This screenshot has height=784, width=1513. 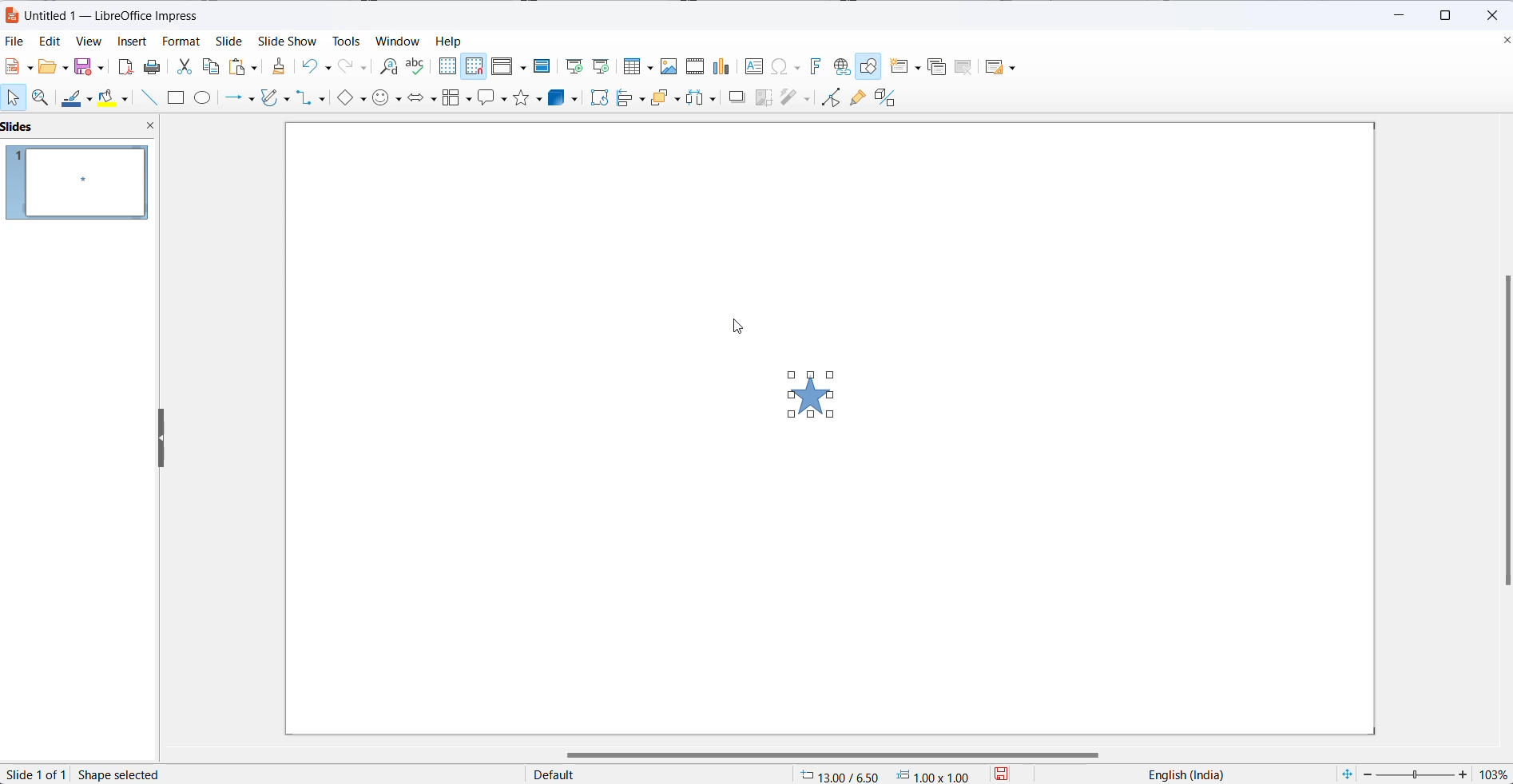 What do you see at coordinates (153, 97) in the screenshot?
I see `line` at bounding box center [153, 97].